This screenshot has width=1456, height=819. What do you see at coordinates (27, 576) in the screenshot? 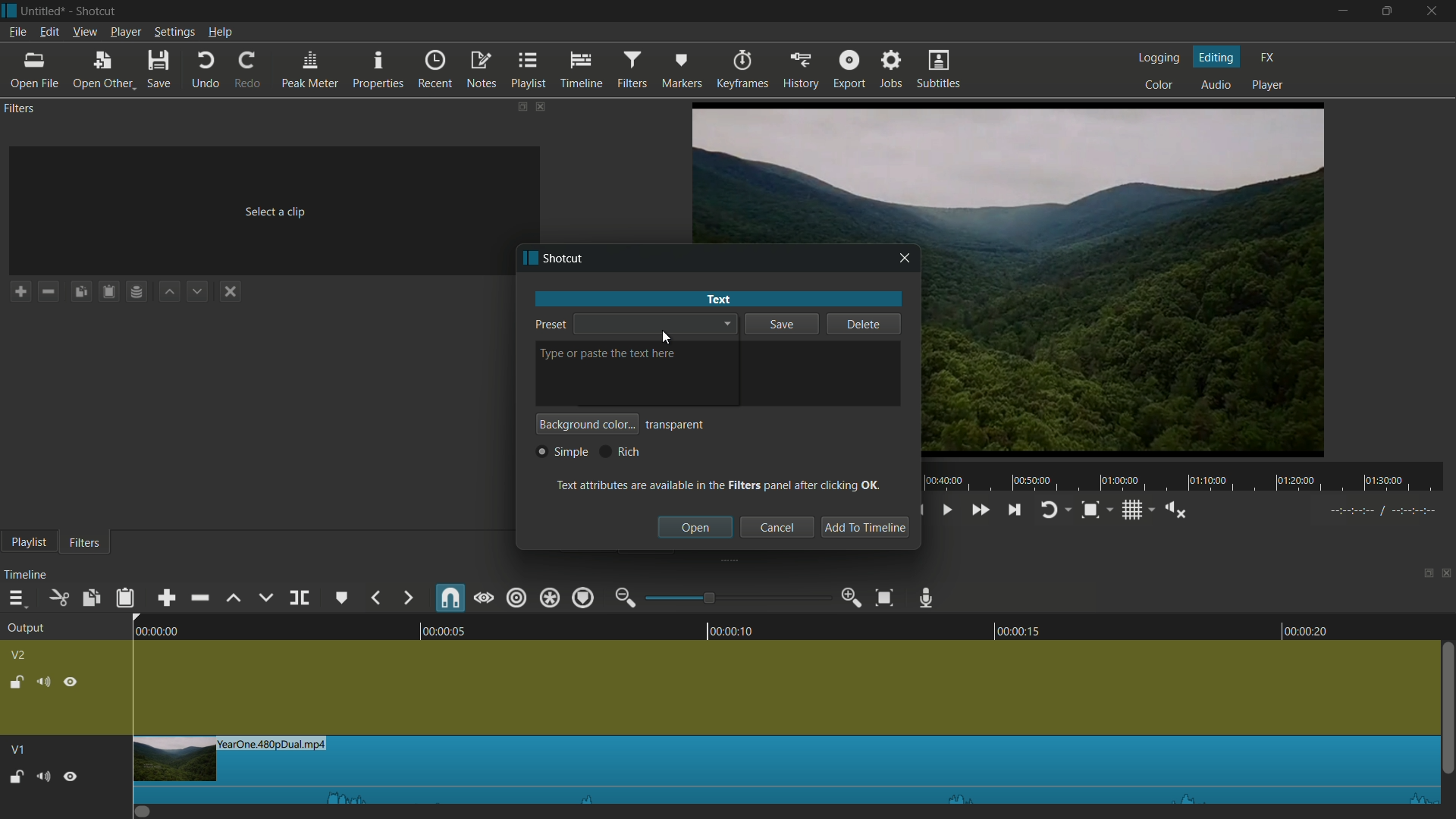
I see `timeline` at bounding box center [27, 576].